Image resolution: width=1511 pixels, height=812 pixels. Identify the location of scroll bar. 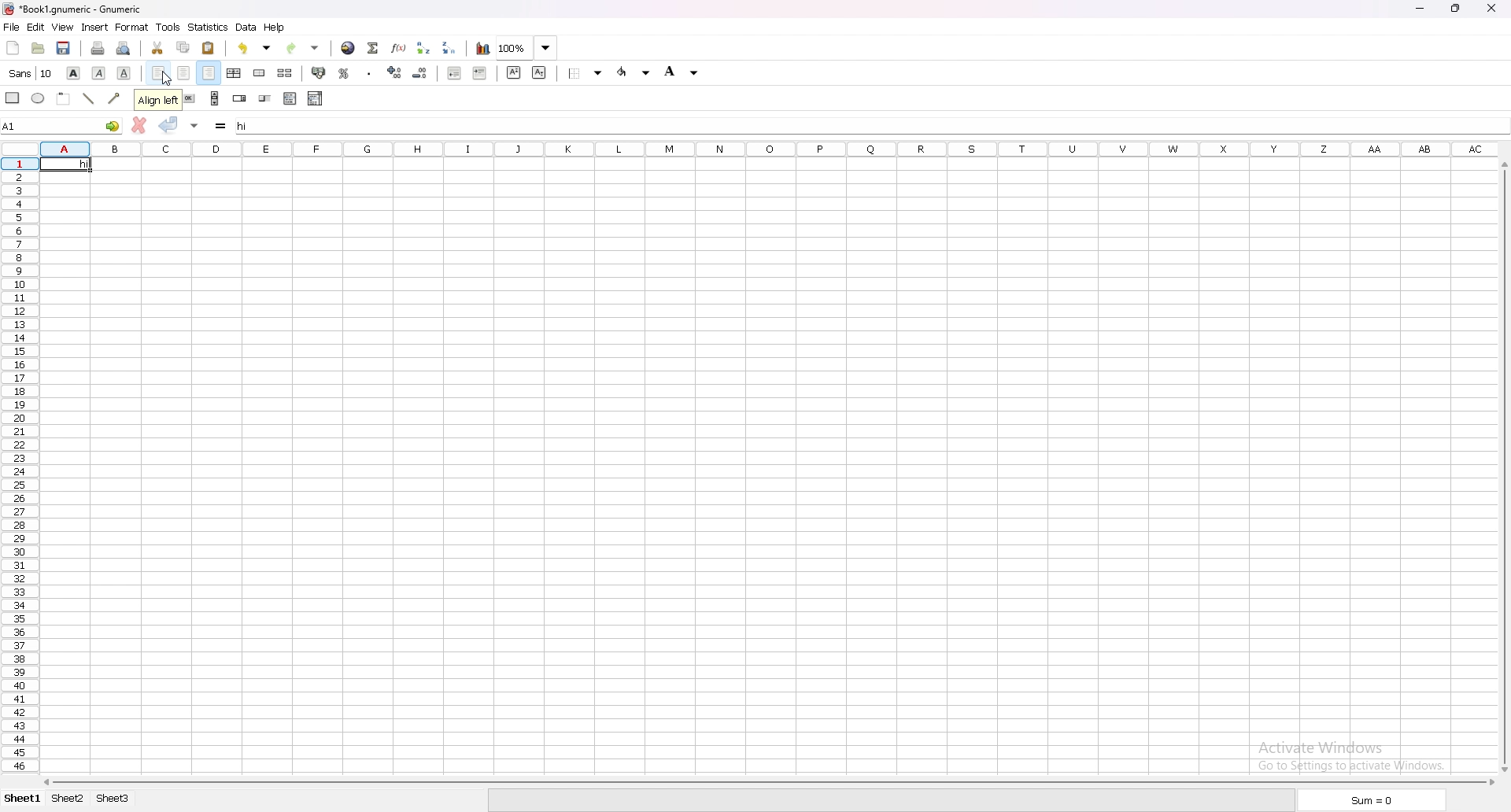
(1499, 467).